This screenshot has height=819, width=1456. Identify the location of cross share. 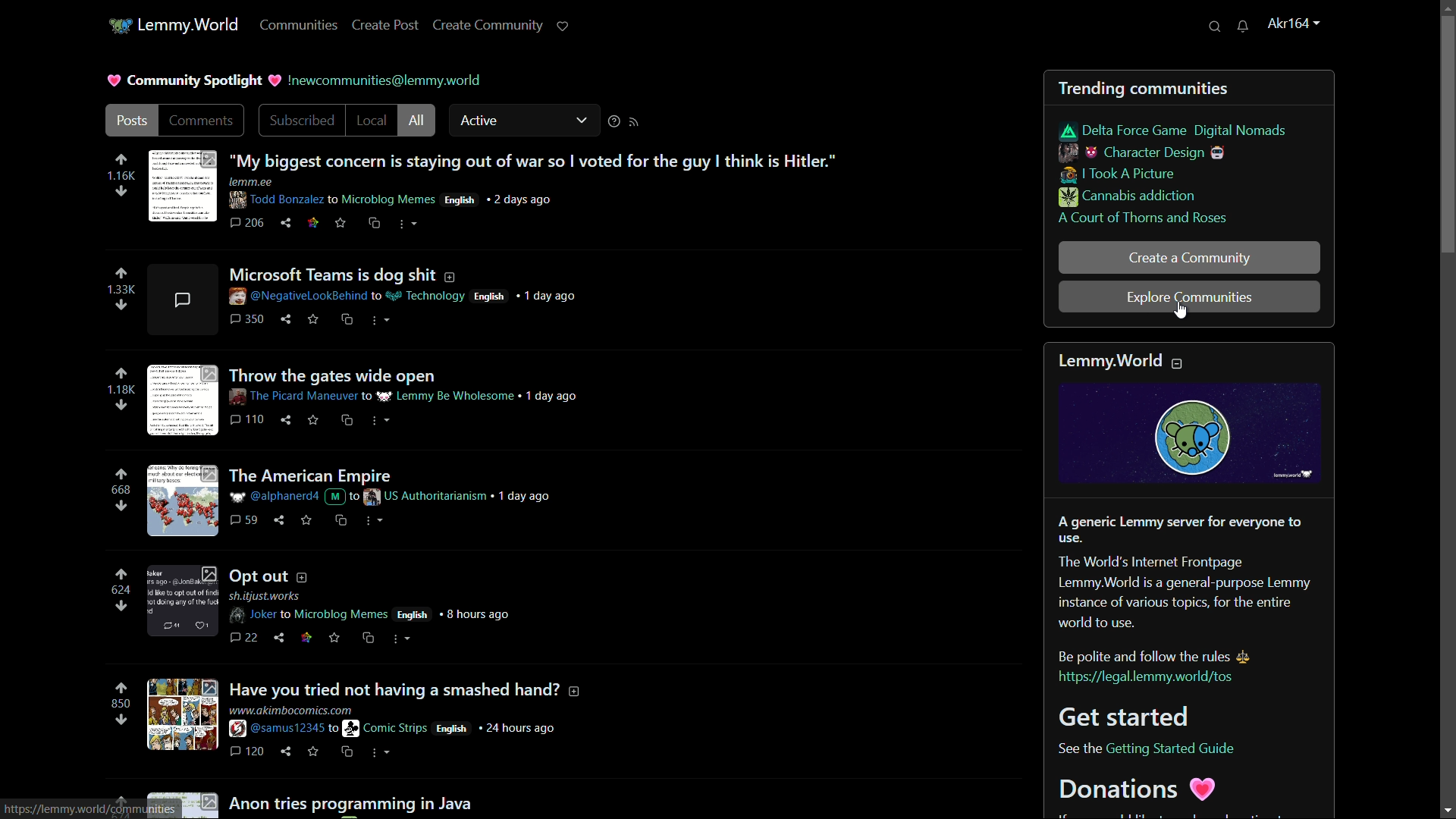
(375, 224).